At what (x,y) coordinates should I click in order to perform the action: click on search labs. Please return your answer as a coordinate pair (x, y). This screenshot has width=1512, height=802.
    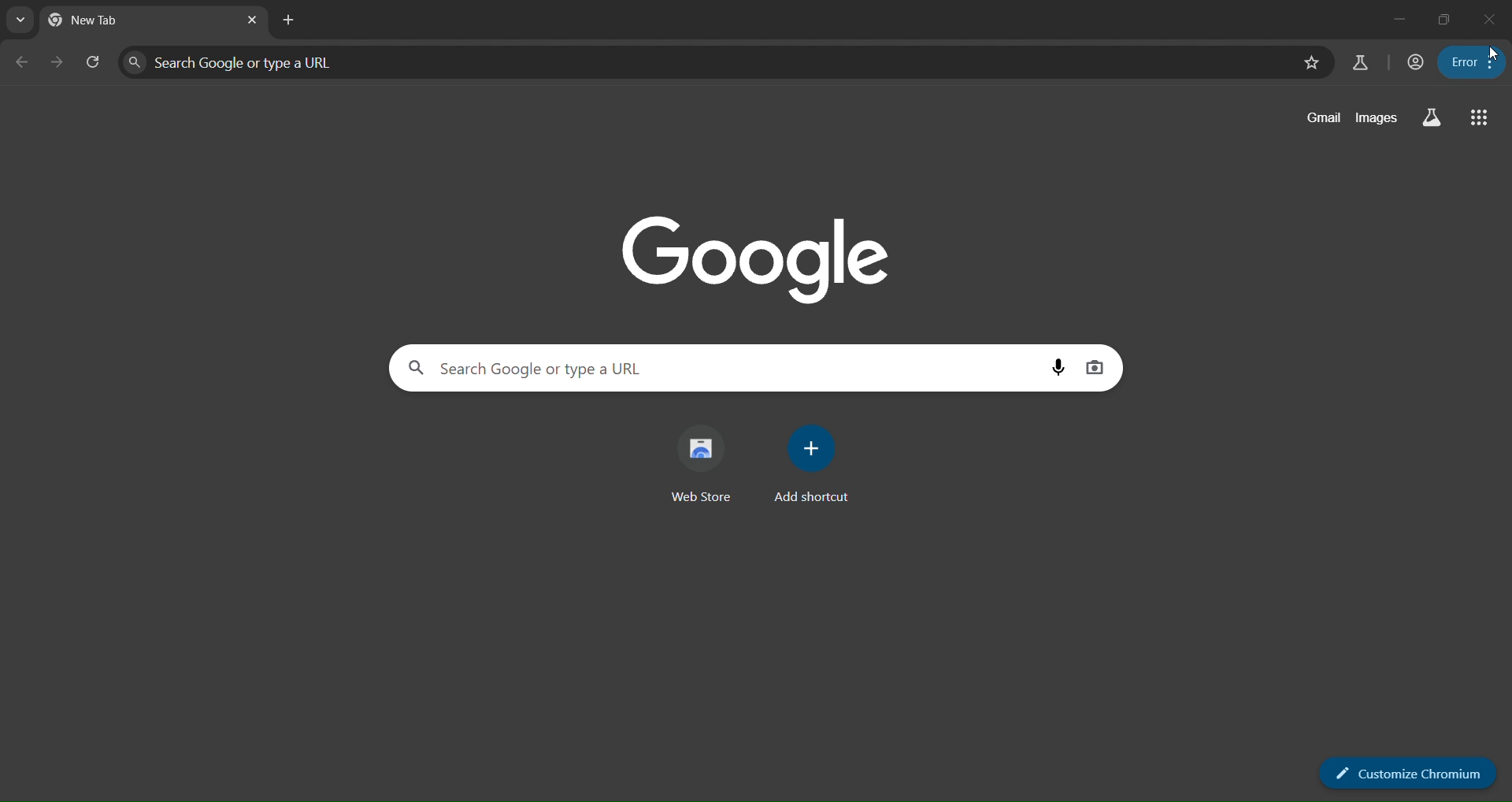
    Looking at the image, I should click on (1359, 63).